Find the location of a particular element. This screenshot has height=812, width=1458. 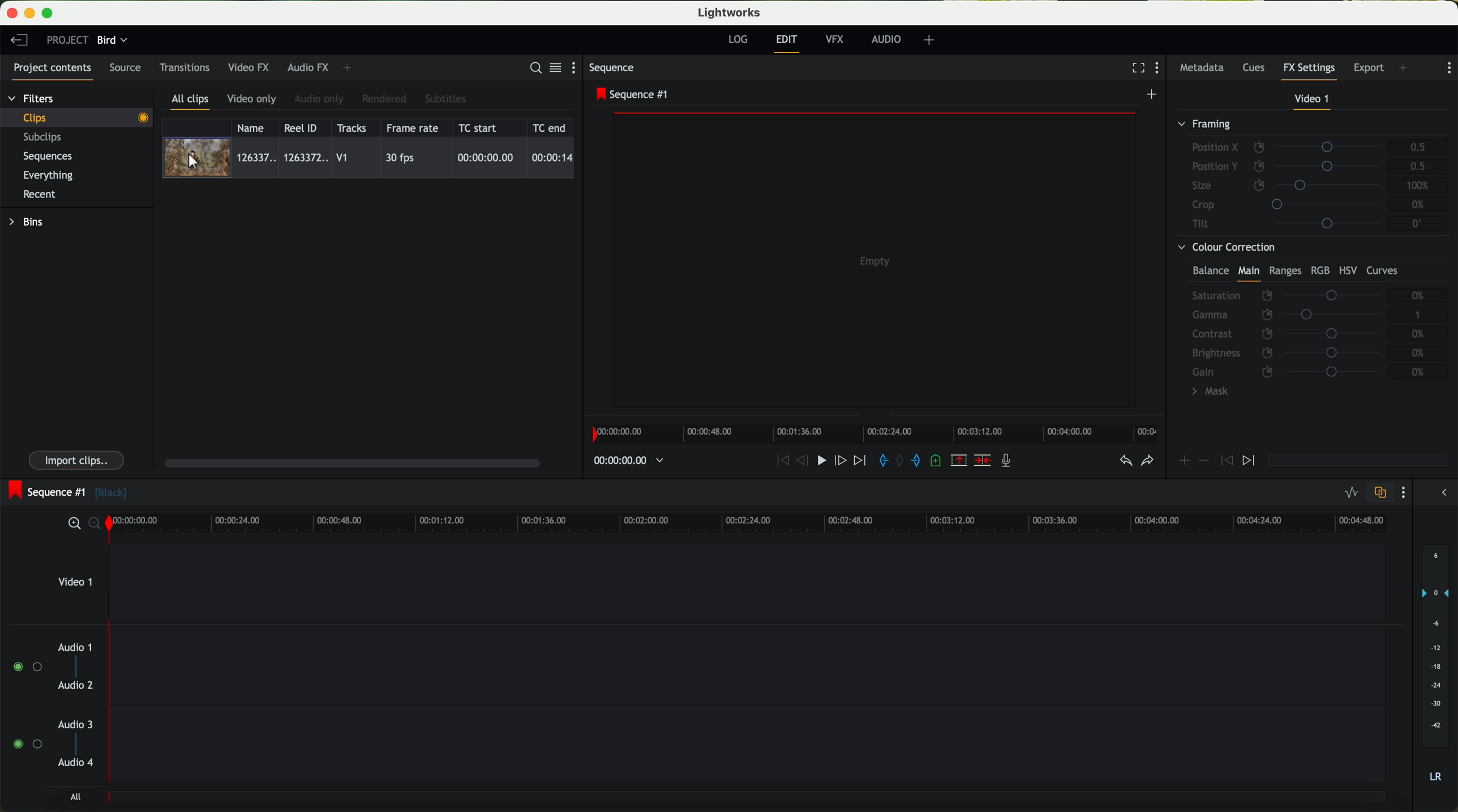

HSV is located at coordinates (1347, 270).